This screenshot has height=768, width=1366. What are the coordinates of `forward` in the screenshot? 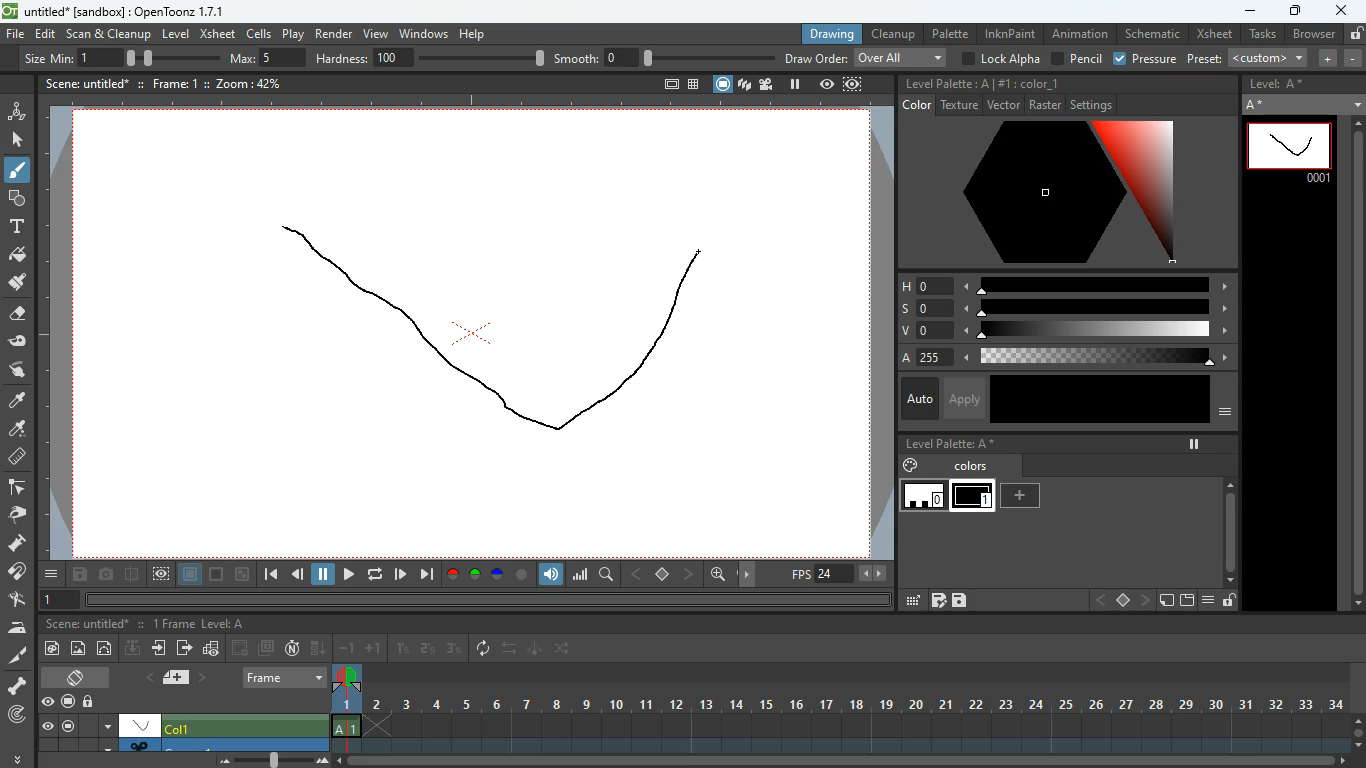 It's located at (400, 574).